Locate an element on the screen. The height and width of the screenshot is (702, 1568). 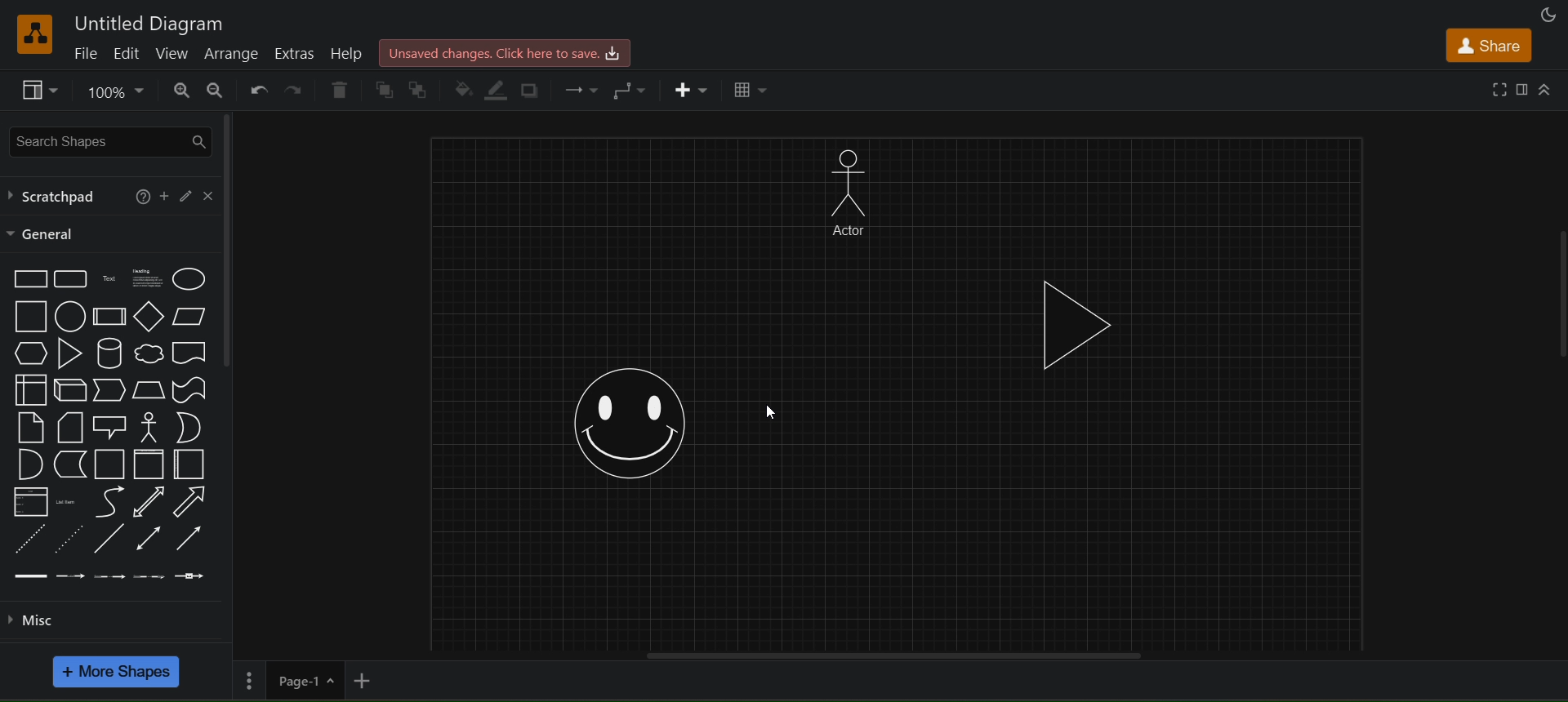
view is located at coordinates (38, 88).